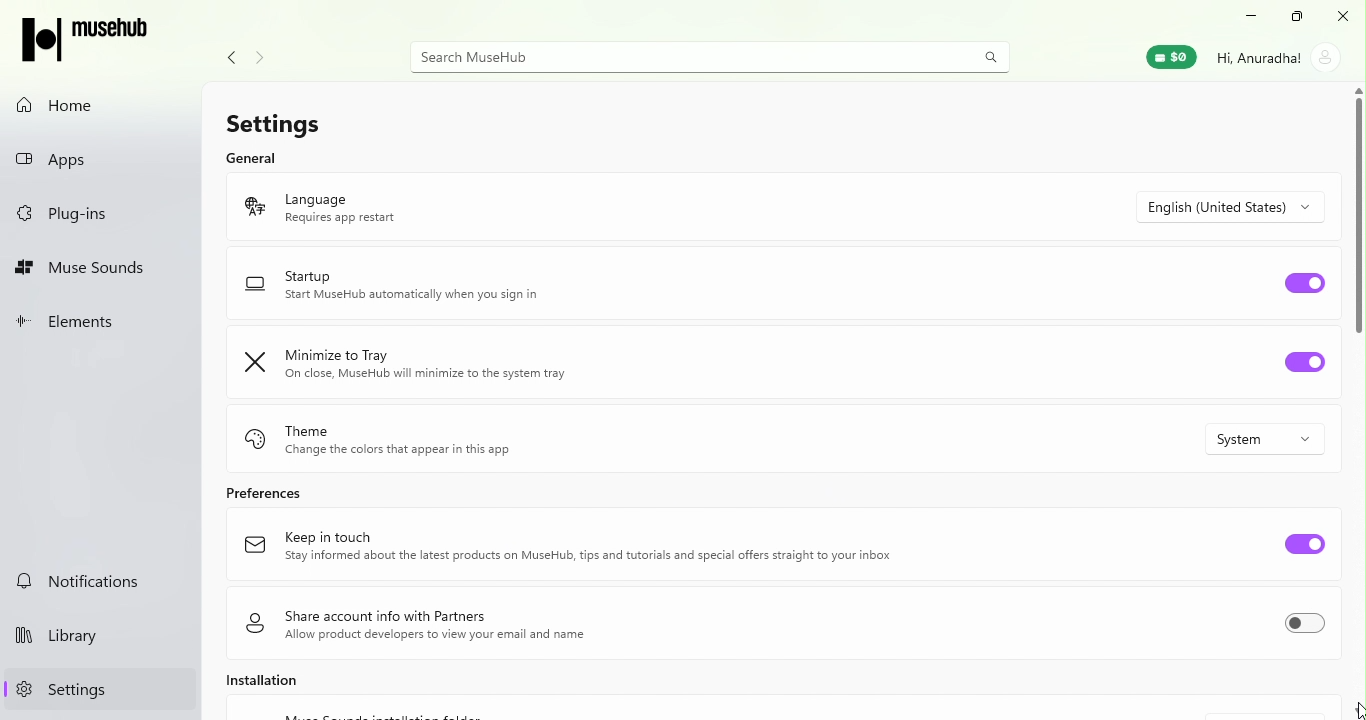  What do you see at coordinates (1170, 58) in the screenshot?
I see `Muse Wallet` at bounding box center [1170, 58].